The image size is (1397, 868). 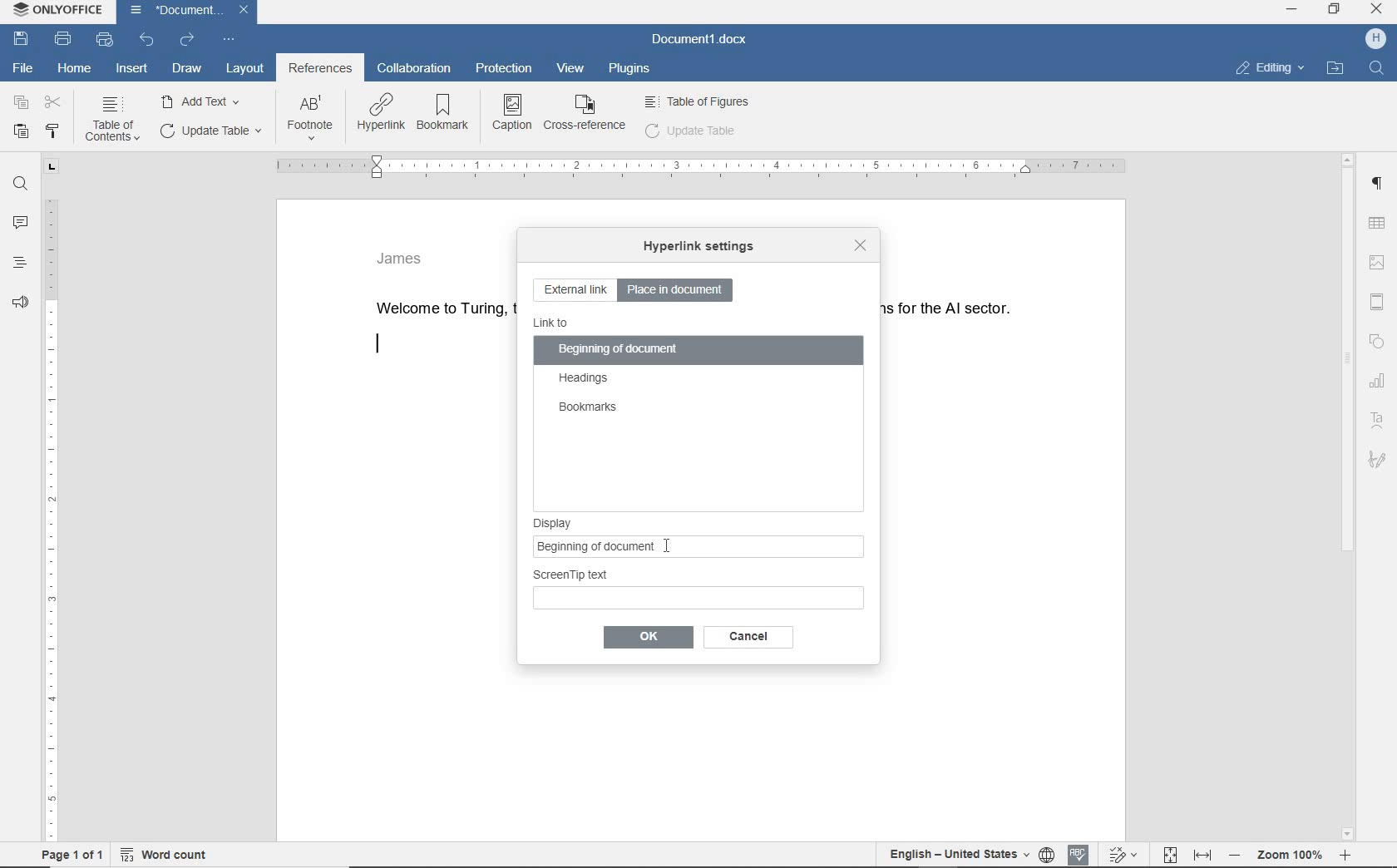 What do you see at coordinates (204, 101) in the screenshot?
I see `ADD TEXT` at bounding box center [204, 101].